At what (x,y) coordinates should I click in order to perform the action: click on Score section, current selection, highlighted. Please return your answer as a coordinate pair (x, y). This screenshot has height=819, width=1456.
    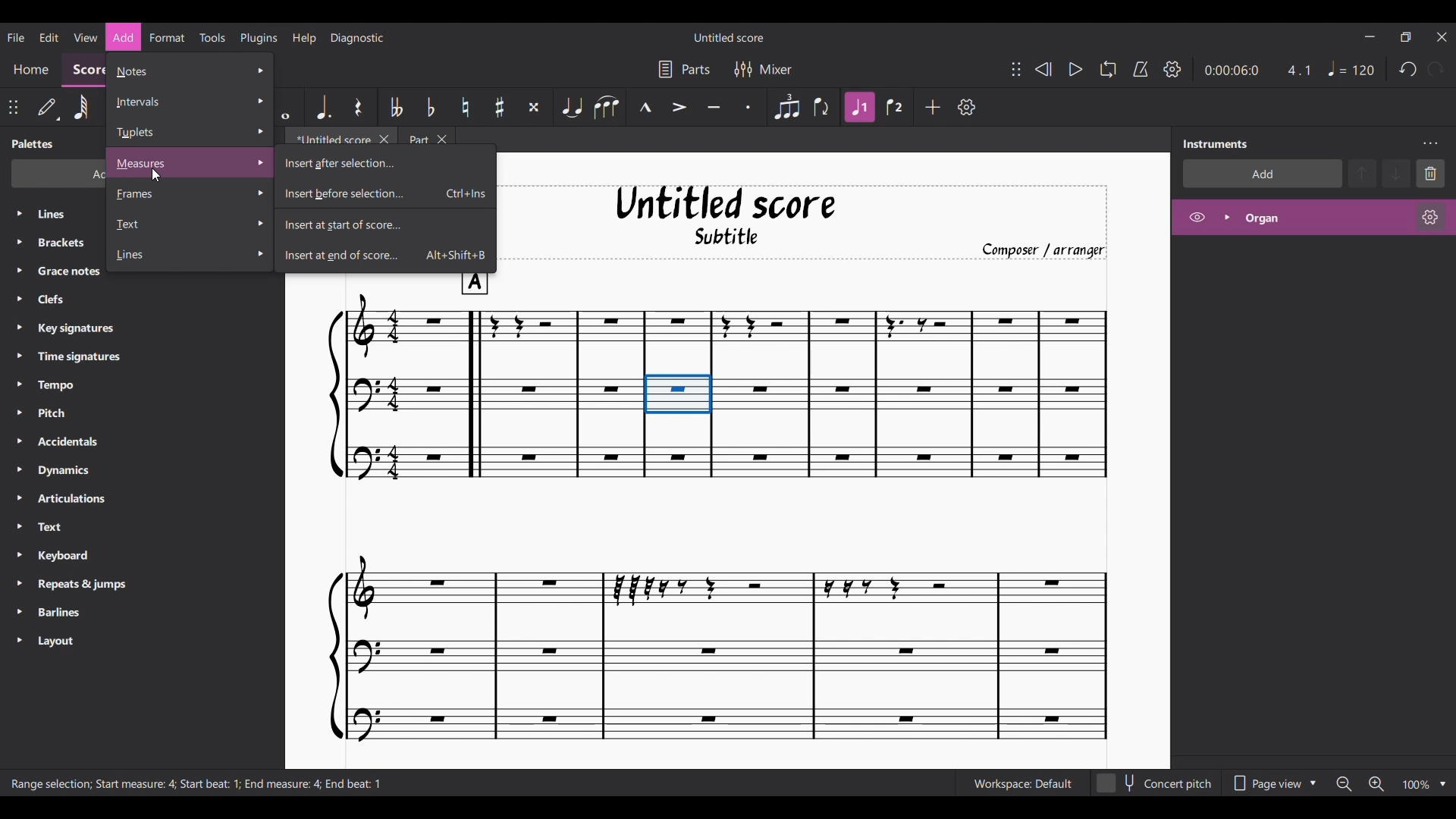
    Looking at the image, I should click on (81, 69).